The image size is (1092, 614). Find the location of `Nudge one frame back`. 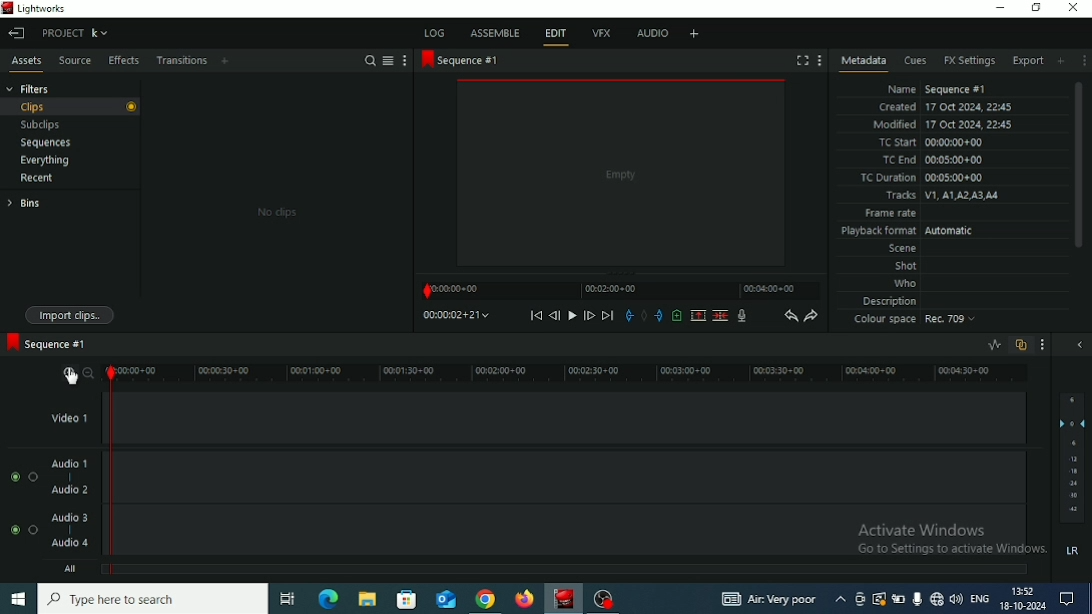

Nudge one frame back is located at coordinates (554, 315).